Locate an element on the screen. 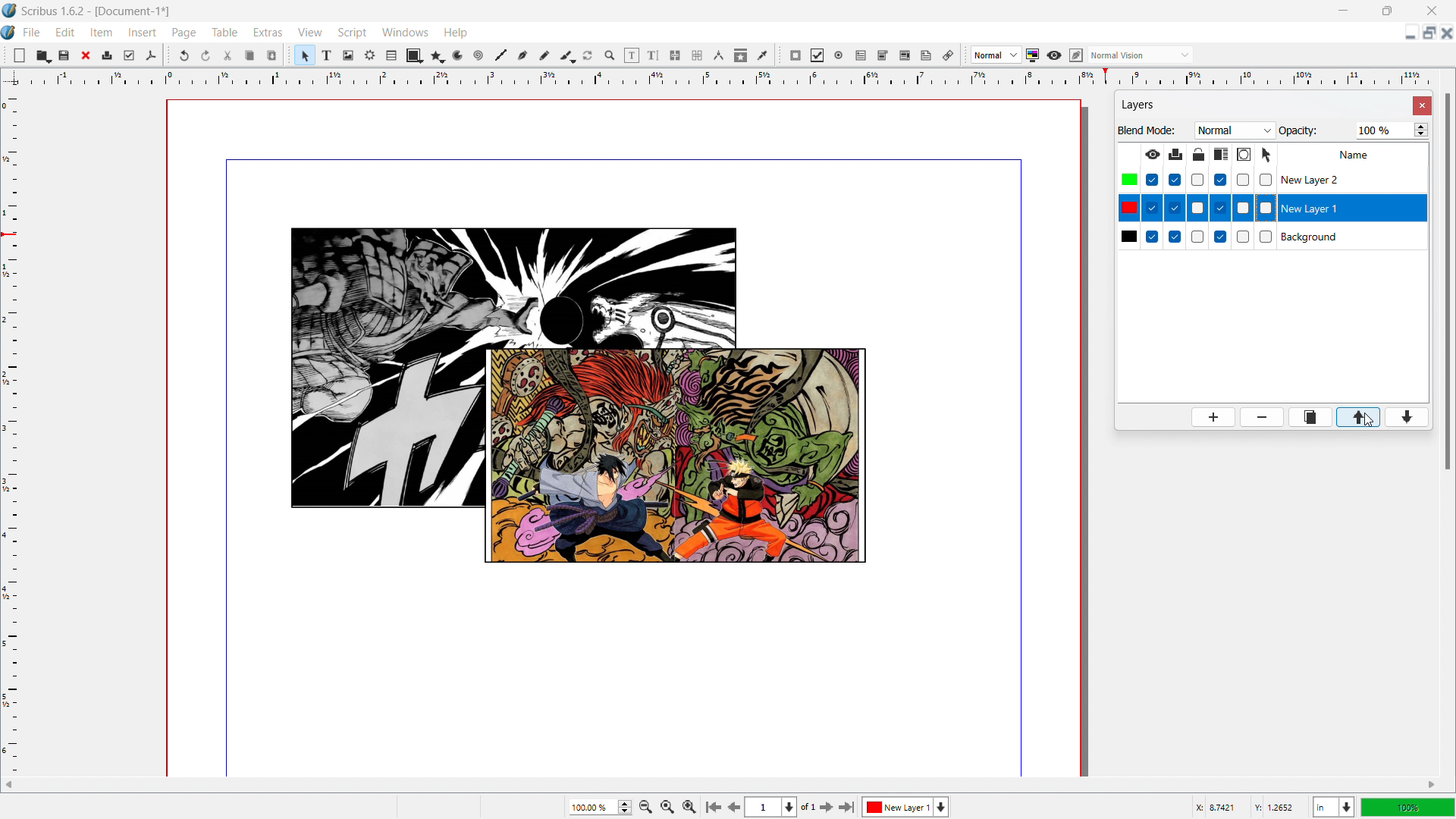 The width and height of the screenshot is (1456, 819). maximize document is located at coordinates (1427, 32).